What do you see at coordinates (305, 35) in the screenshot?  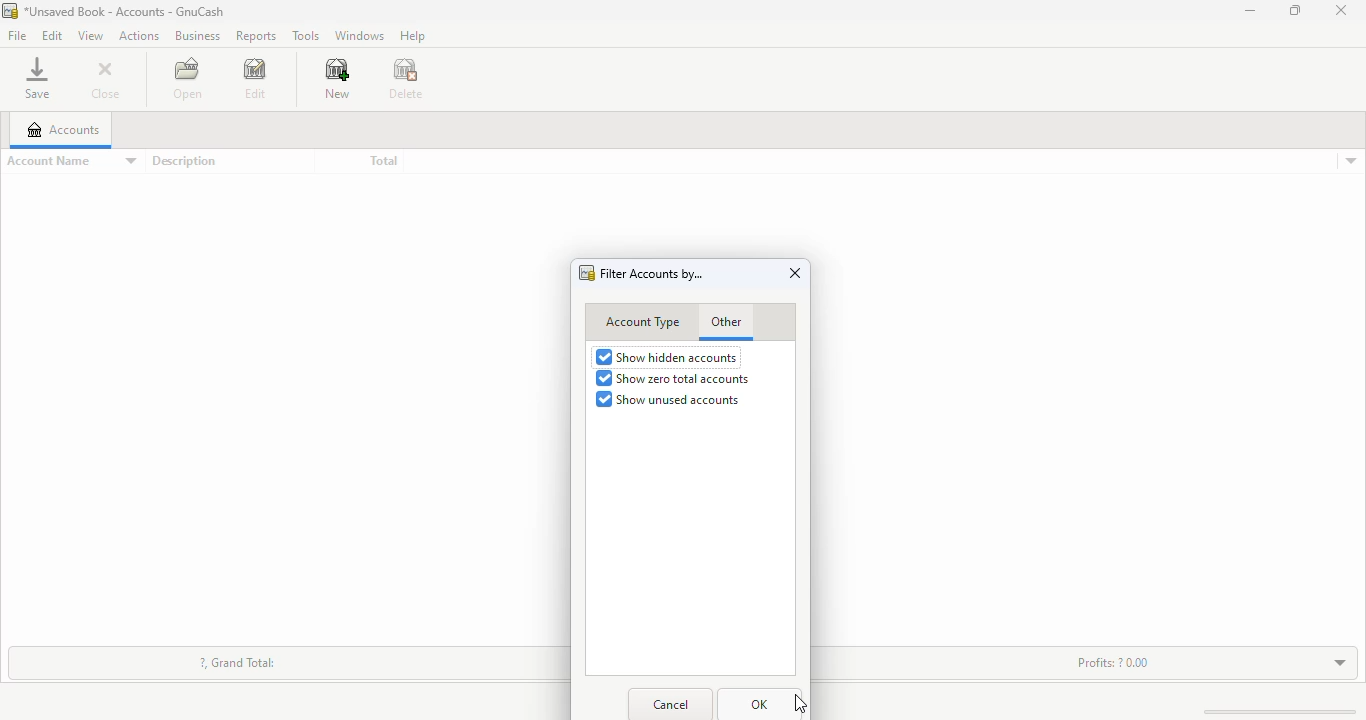 I see `tools` at bounding box center [305, 35].